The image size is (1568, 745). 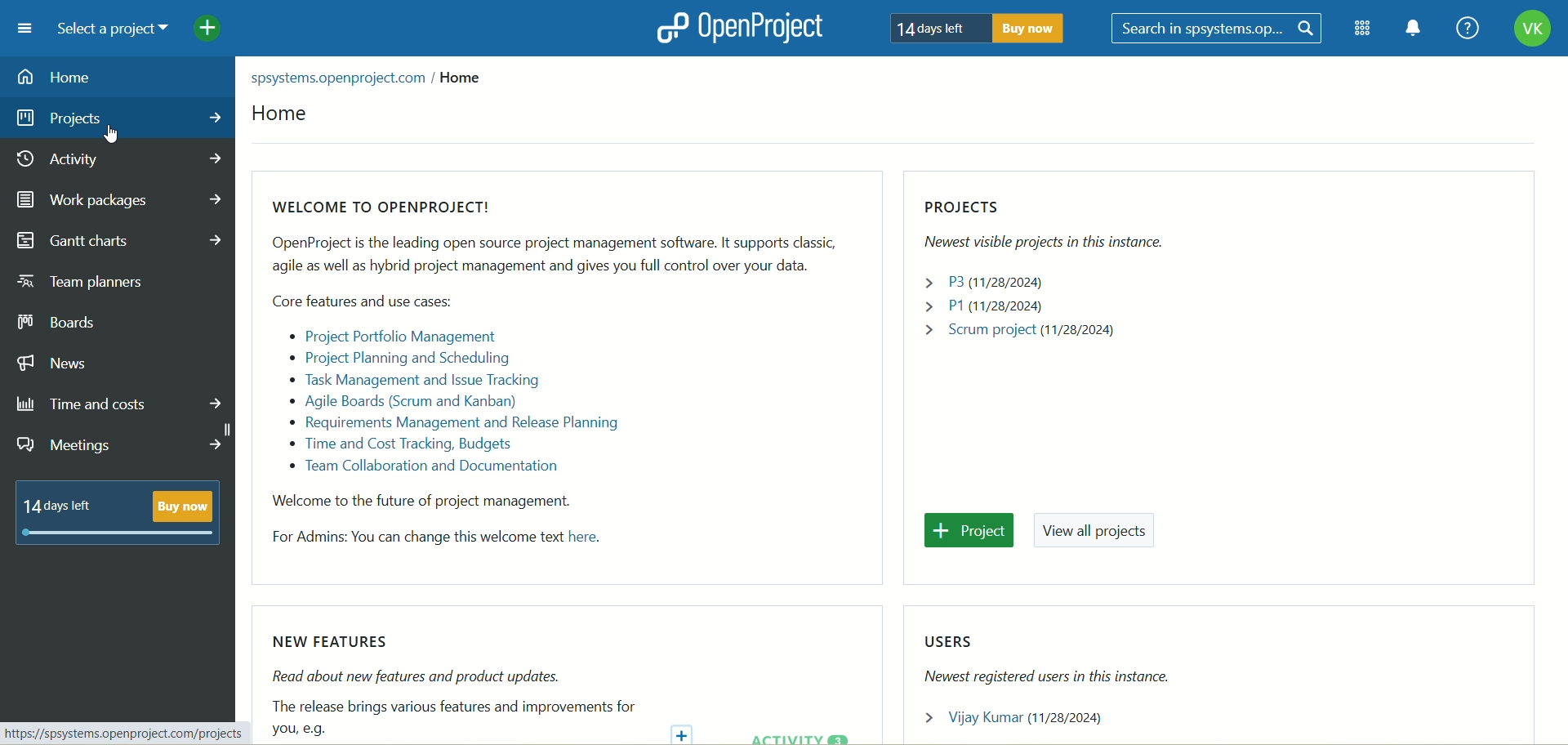 What do you see at coordinates (474, 76) in the screenshot?
I see `home` at bounding box center [474, 76].